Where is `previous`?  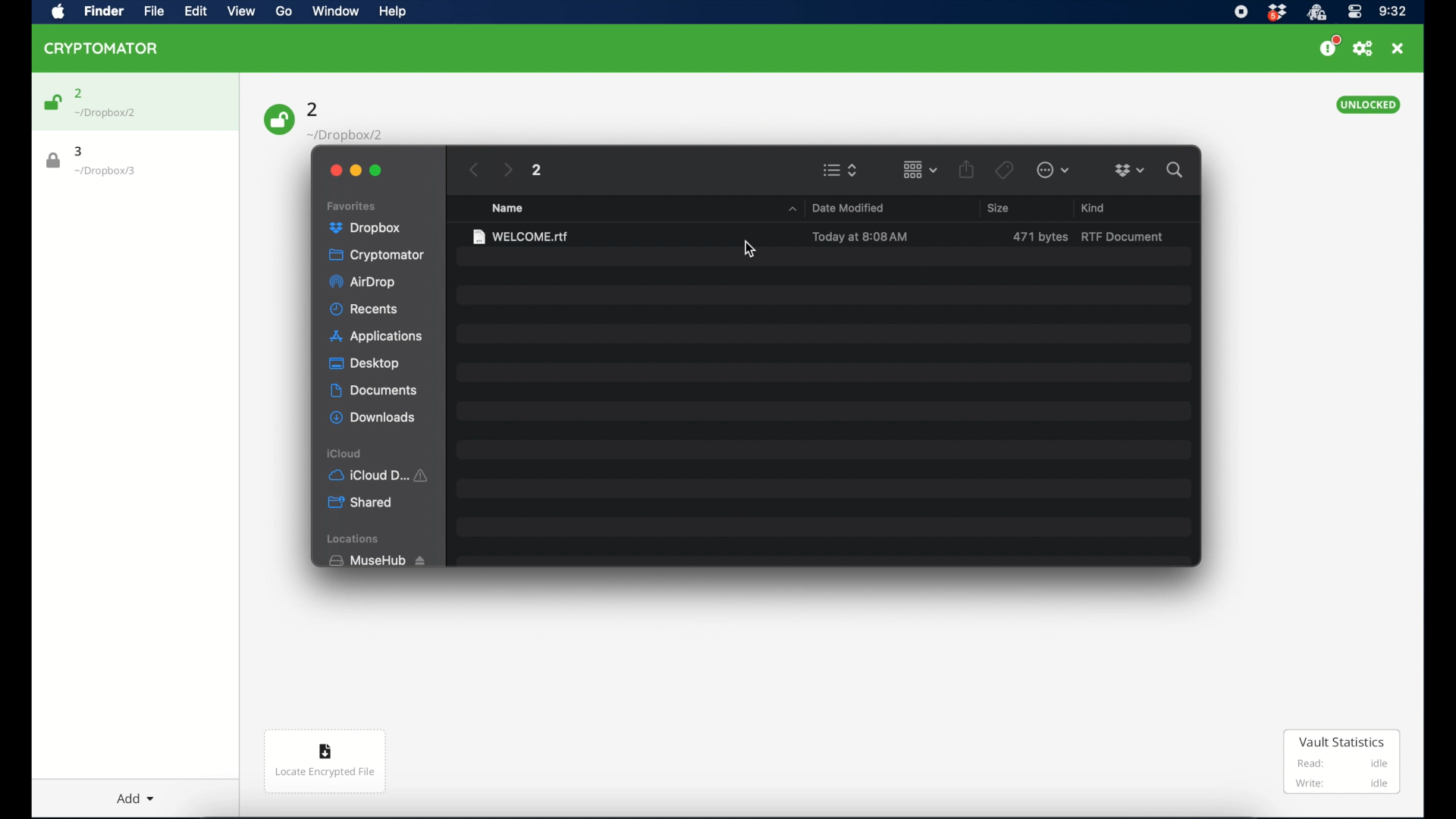
previous is located at coordinates (474, 170).